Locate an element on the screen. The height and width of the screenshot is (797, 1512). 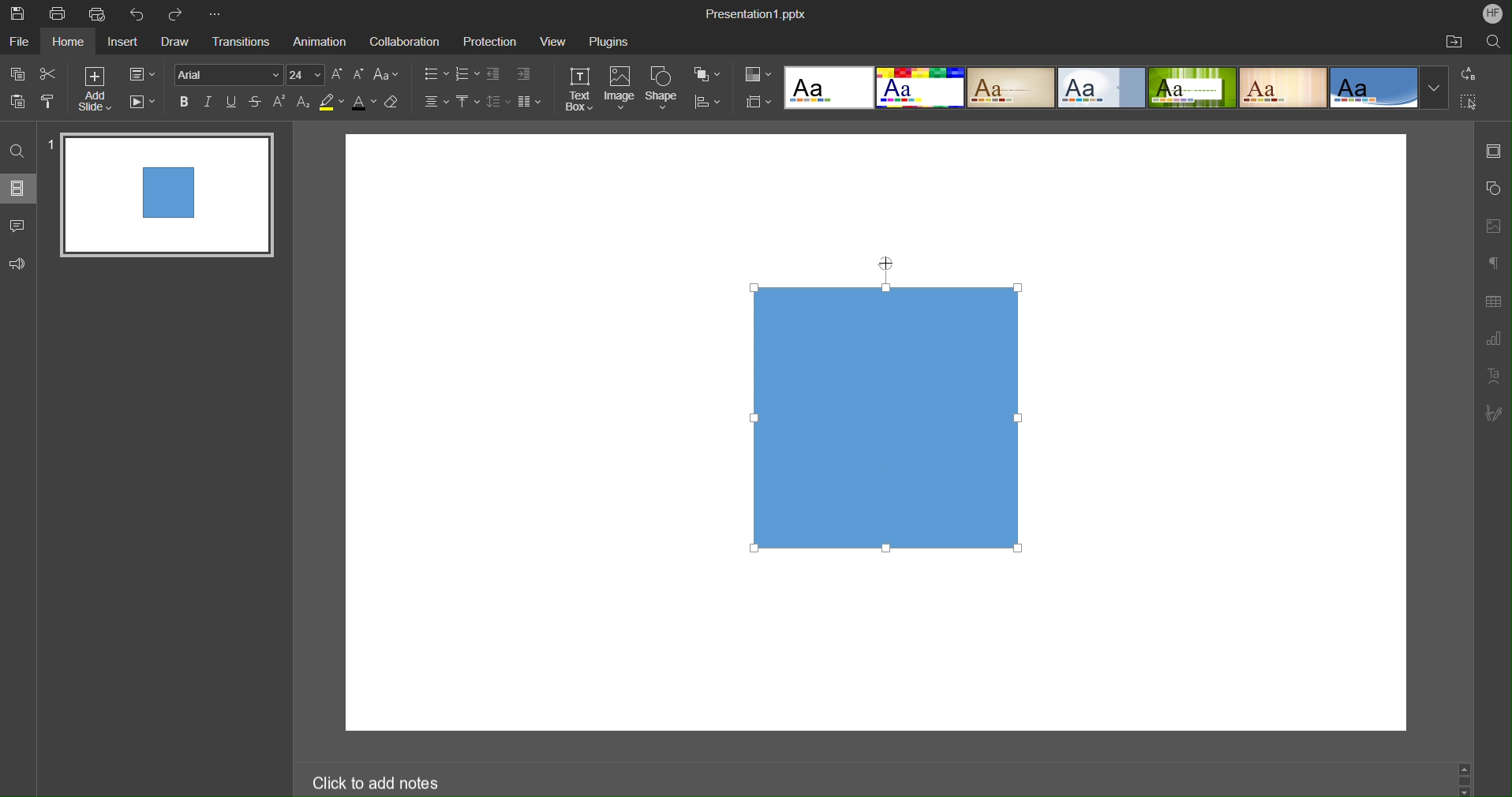
Paragraph Settings is located at coordinates (1491, 263).